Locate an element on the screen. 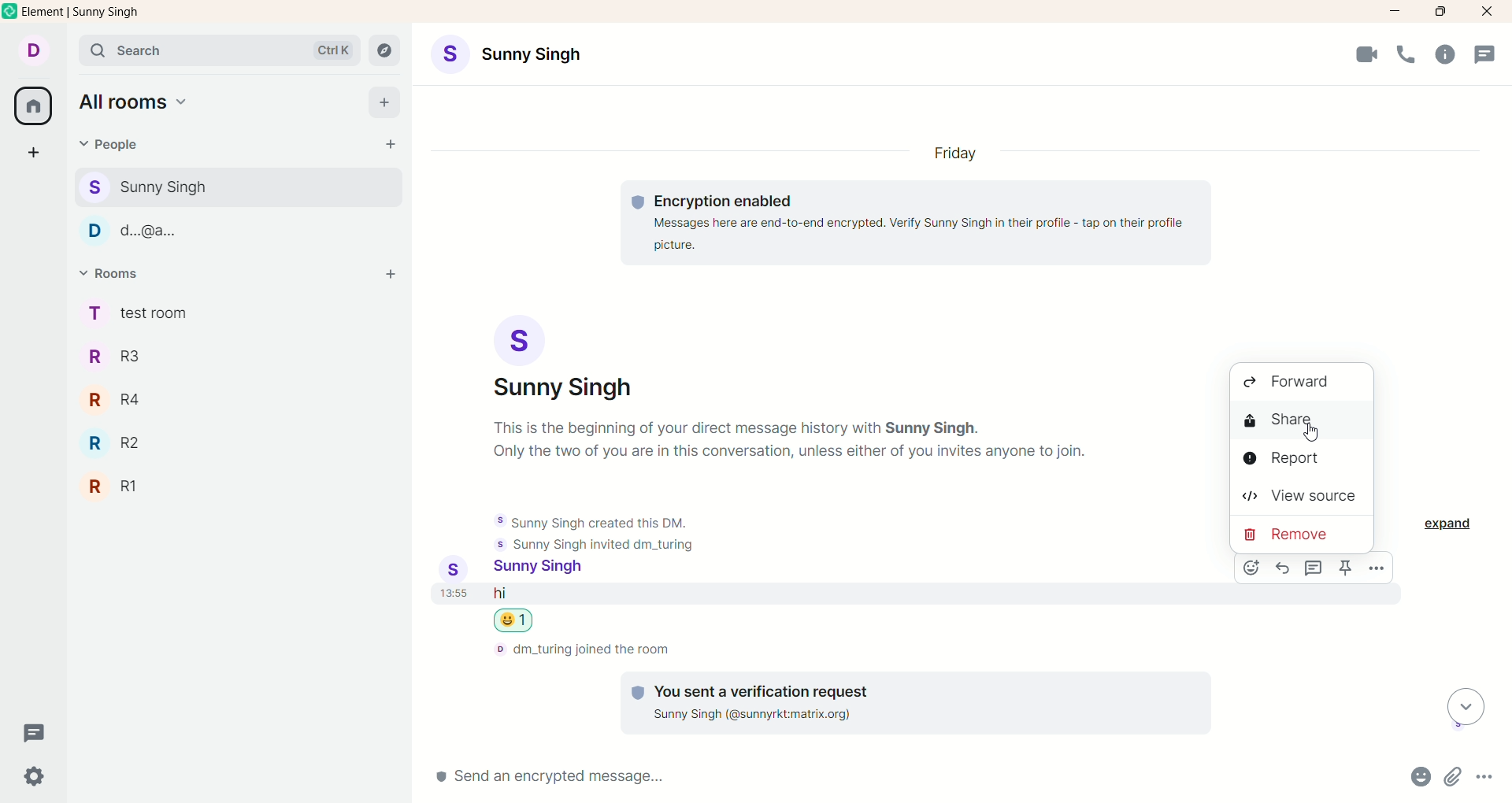  time is located at coordinates (451, 599).